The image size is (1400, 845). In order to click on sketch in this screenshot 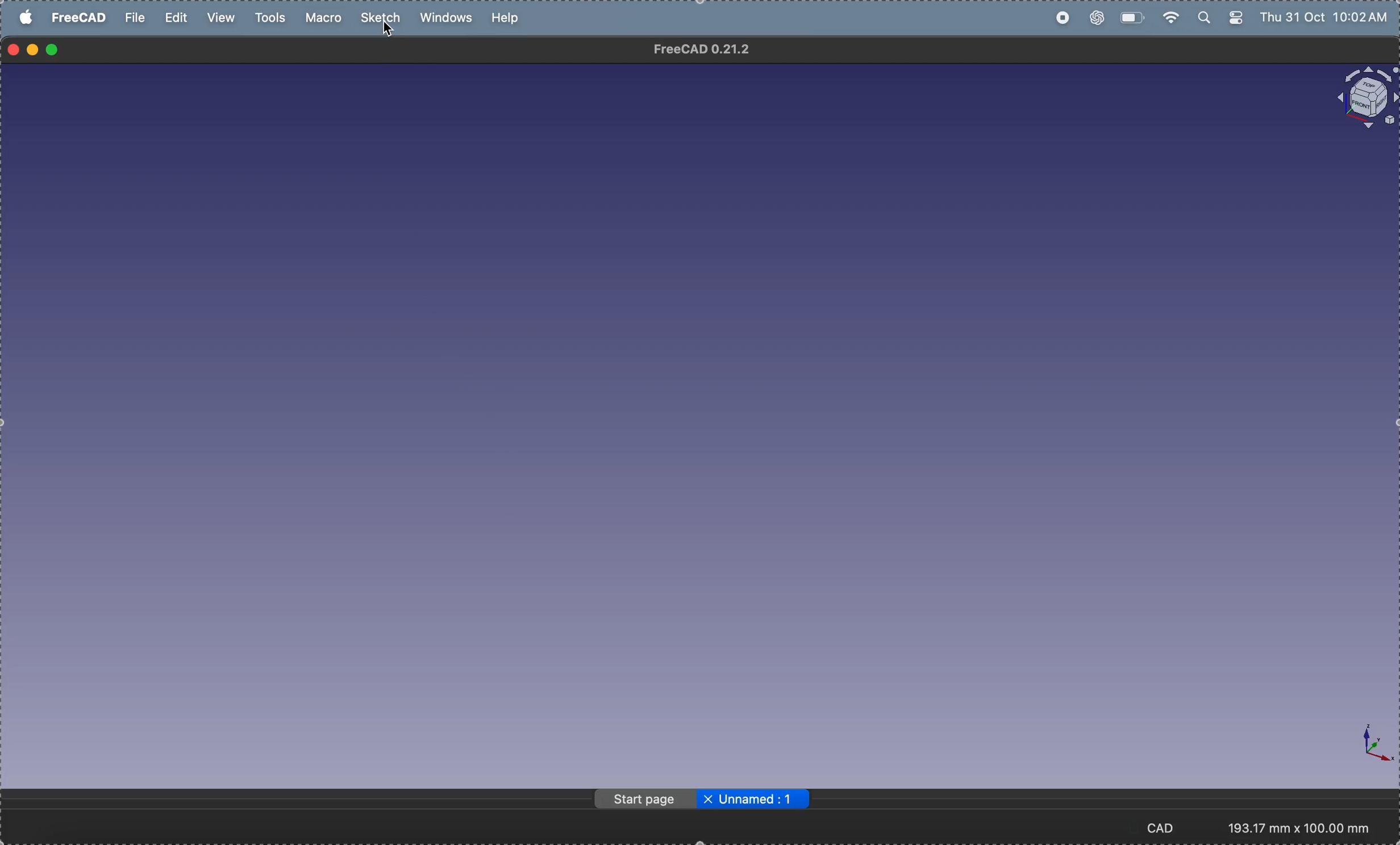, I will do `click(383, 18)`.